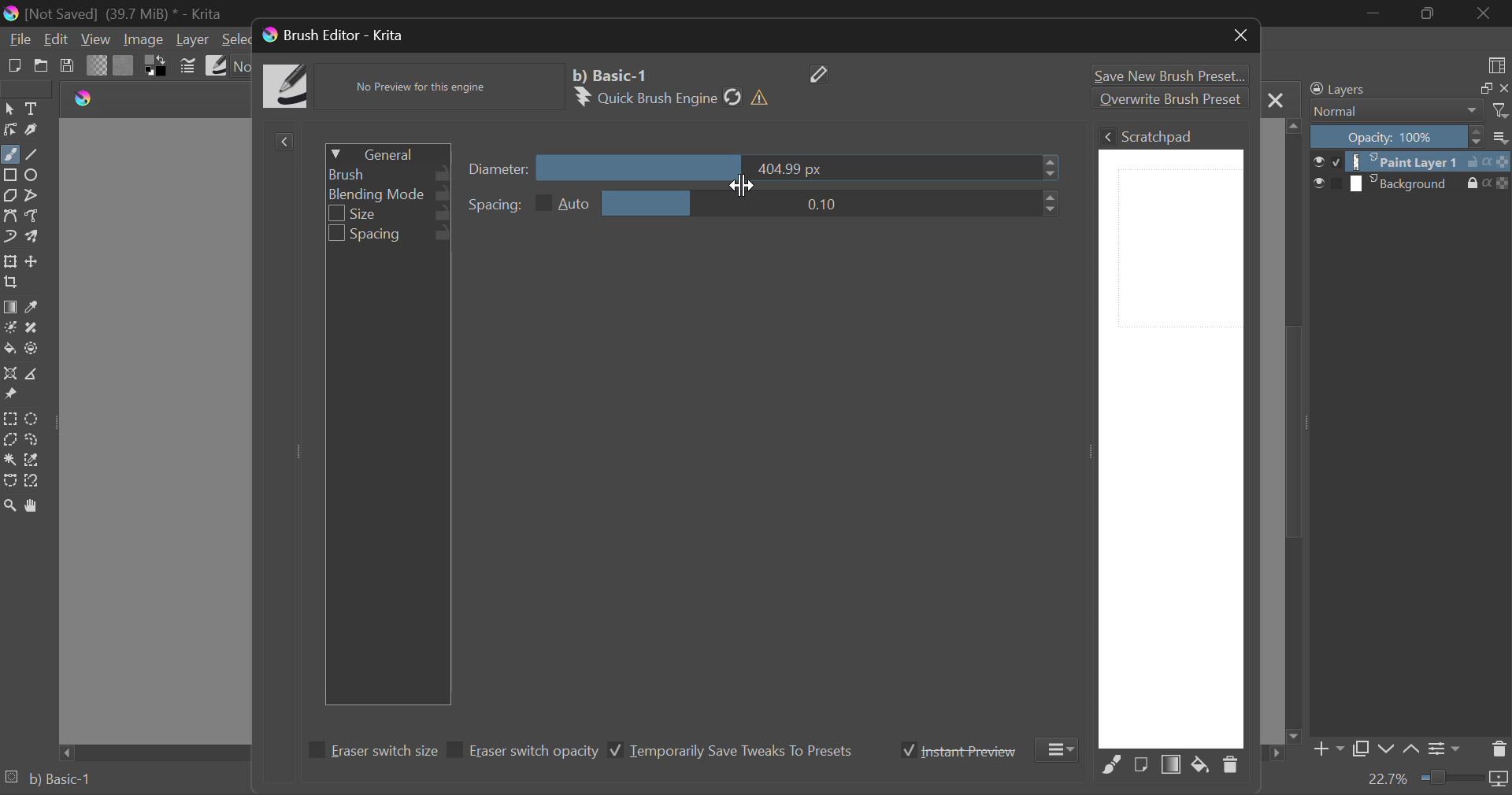  Describe the element at coordinates (10, 154) in the screenshot. I see `Freehand` at that location.